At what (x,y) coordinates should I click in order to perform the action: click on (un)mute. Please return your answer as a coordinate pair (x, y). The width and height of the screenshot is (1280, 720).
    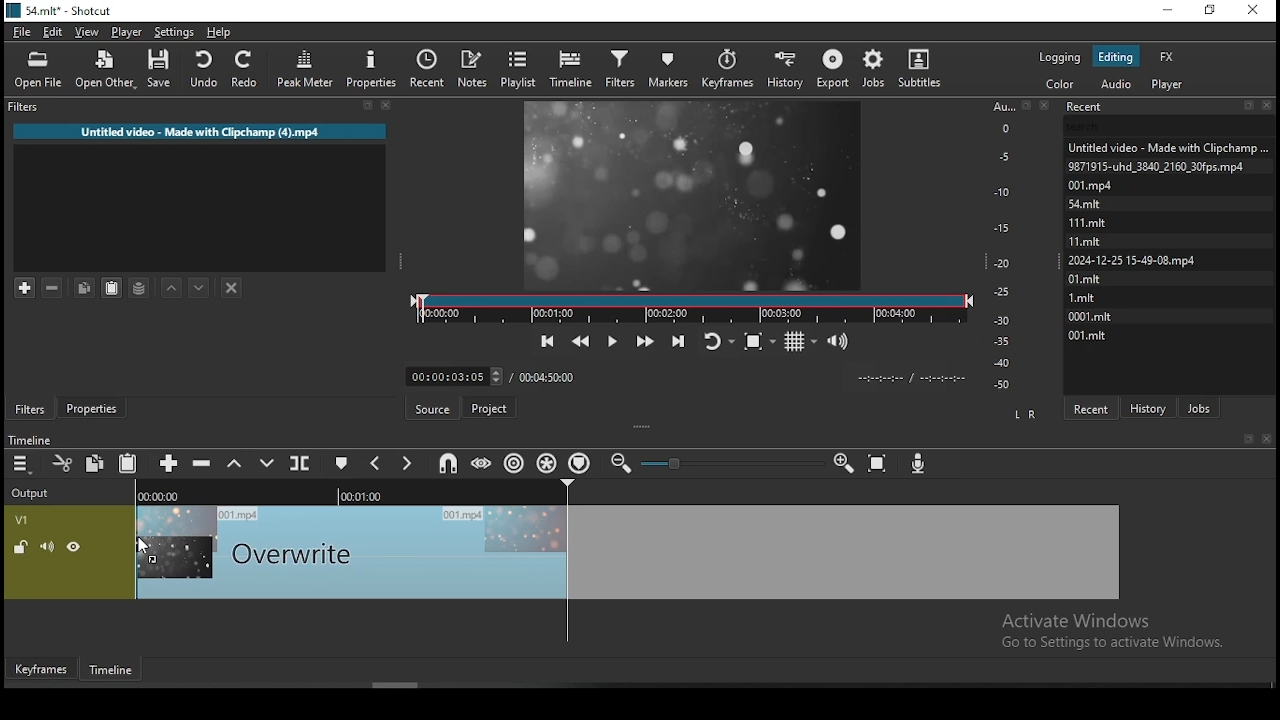
    Looking at the image, I should click on (47, 547).